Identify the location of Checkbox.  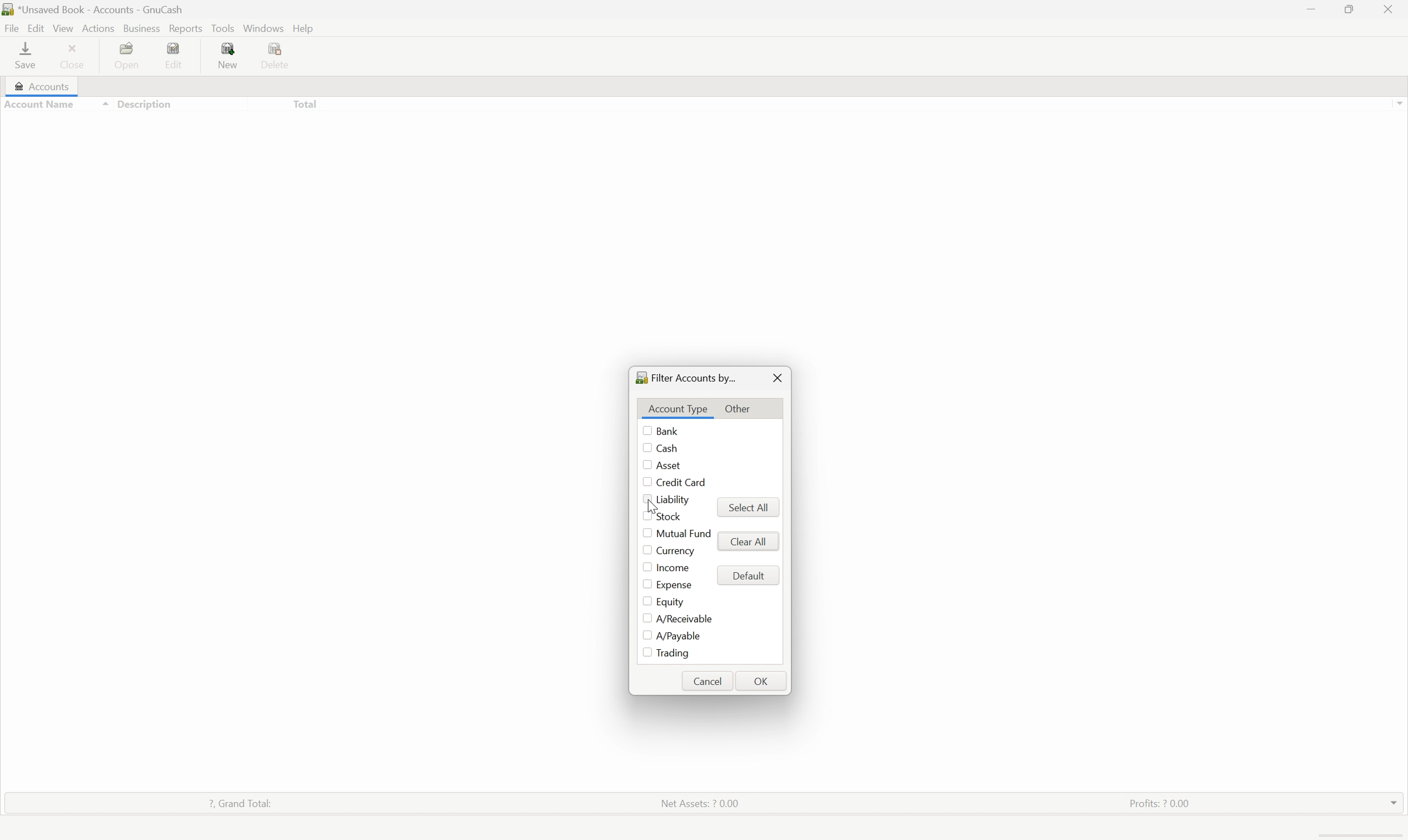
(645, 569).